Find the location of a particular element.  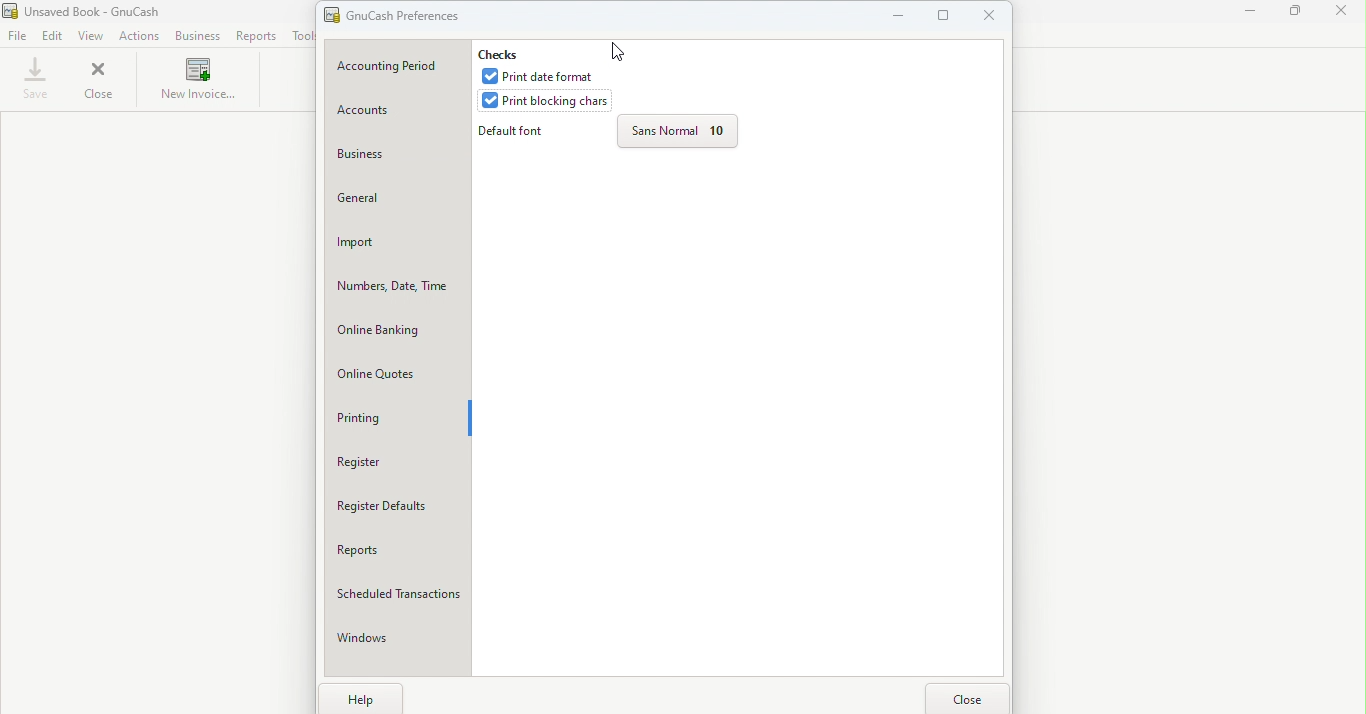

Close is located at coordinates (1346, 16).